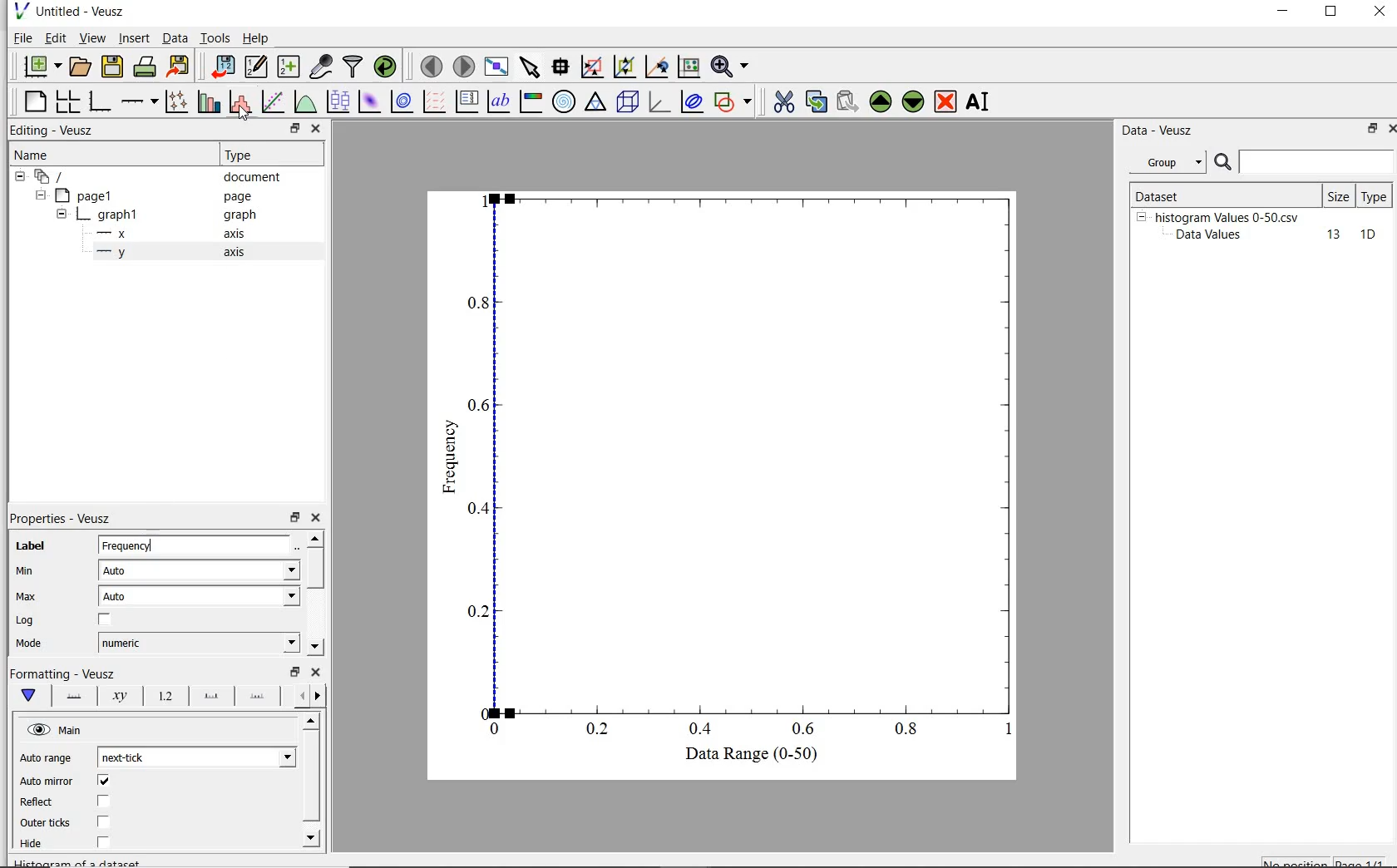 This screenshot has width=1397, height=868. I want to click on Auto, so click(199, 570).